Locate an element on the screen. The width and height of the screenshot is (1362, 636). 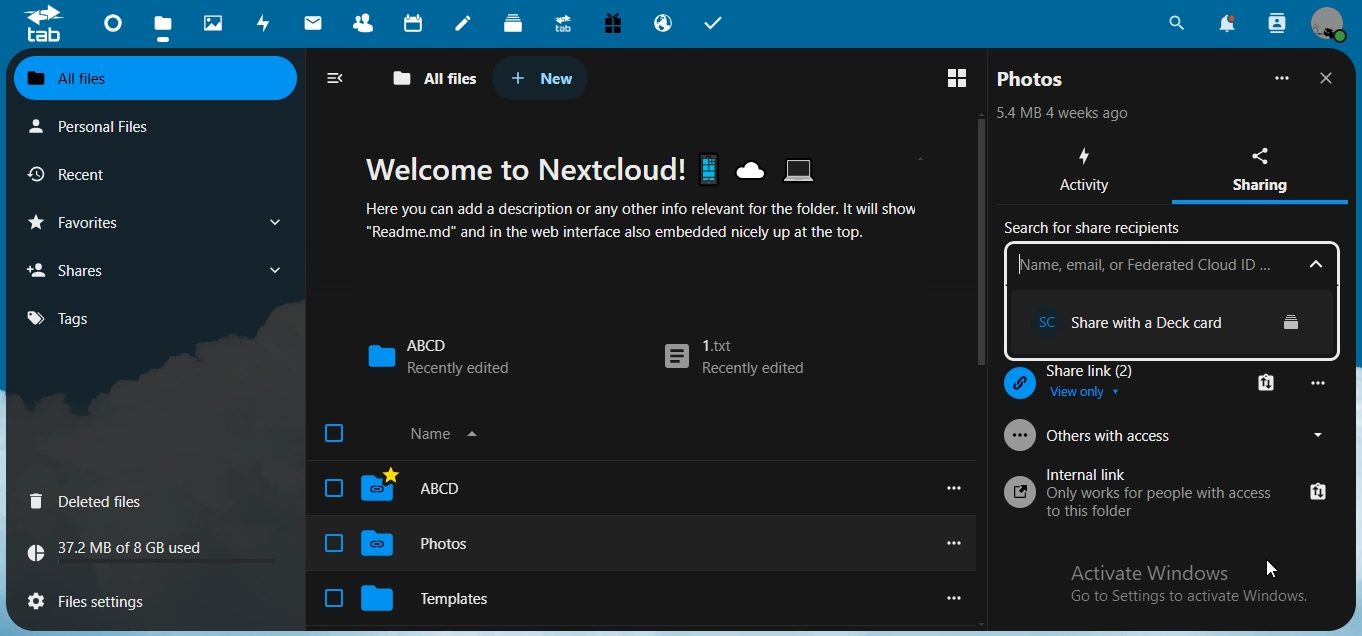
new is located at coordinates (542, 78).